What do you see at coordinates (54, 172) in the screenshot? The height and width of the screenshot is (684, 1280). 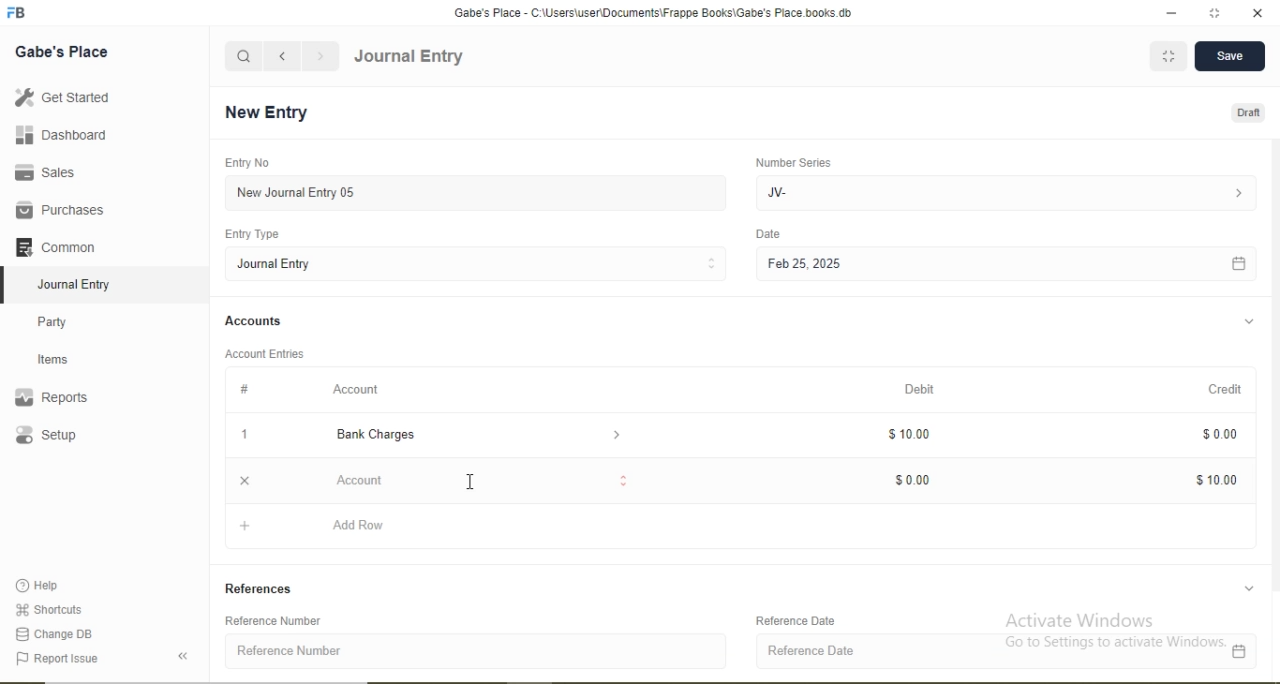 I see `Sales` at bounding box center [54, 172].